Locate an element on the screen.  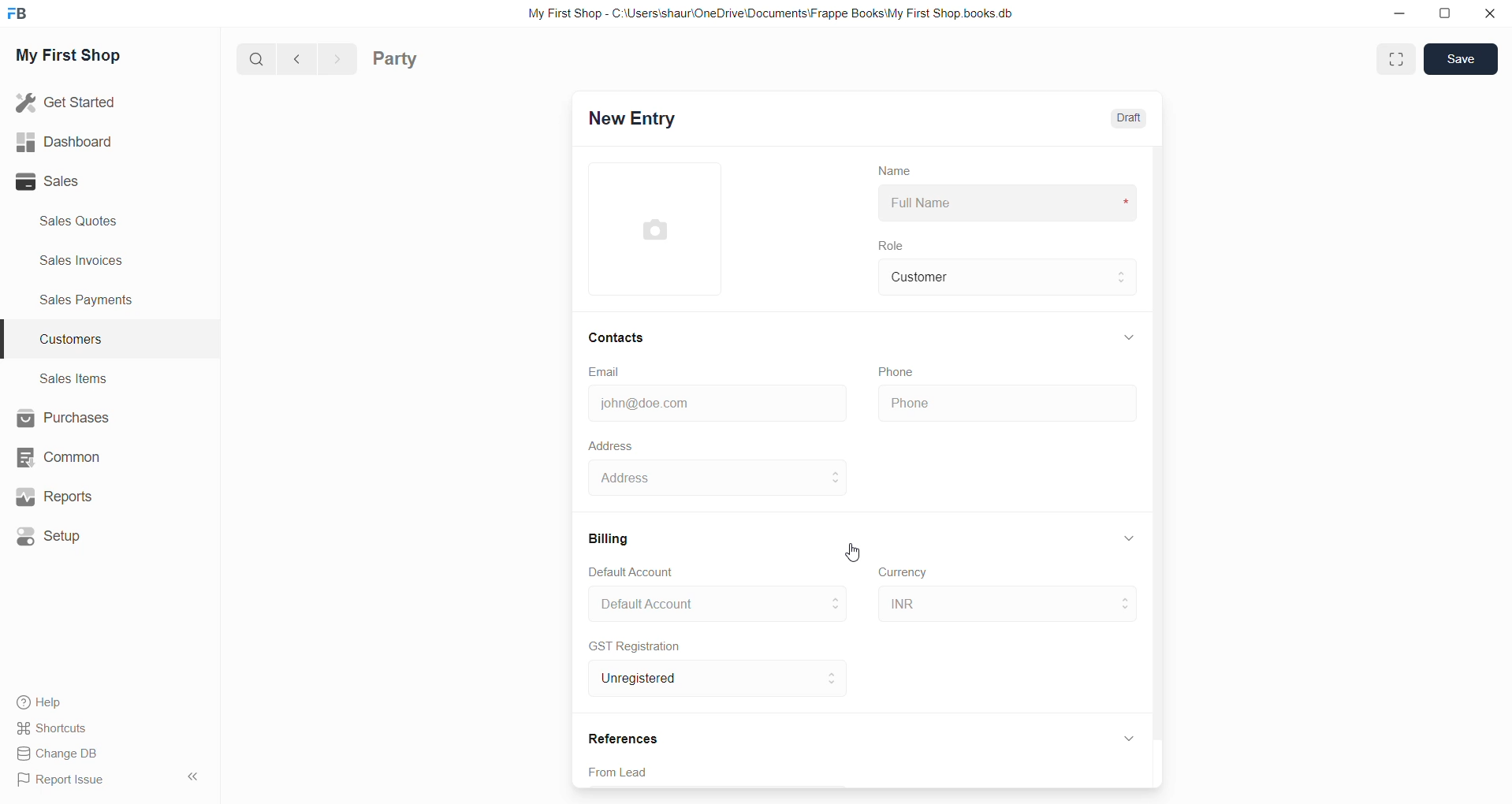
Search is located at coordinates (256, 61).